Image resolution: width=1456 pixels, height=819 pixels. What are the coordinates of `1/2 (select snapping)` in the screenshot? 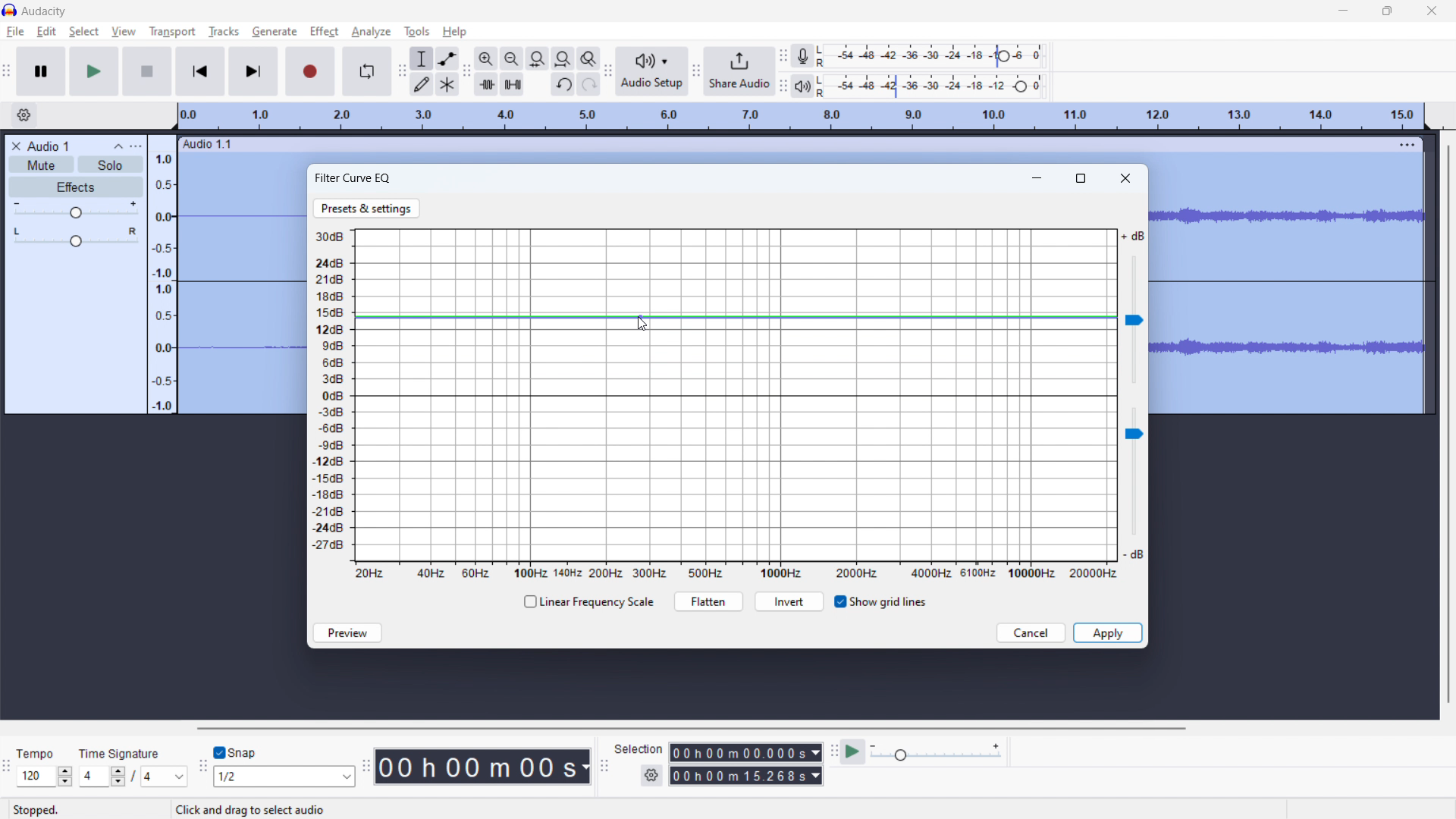 It's located at (285, 776).